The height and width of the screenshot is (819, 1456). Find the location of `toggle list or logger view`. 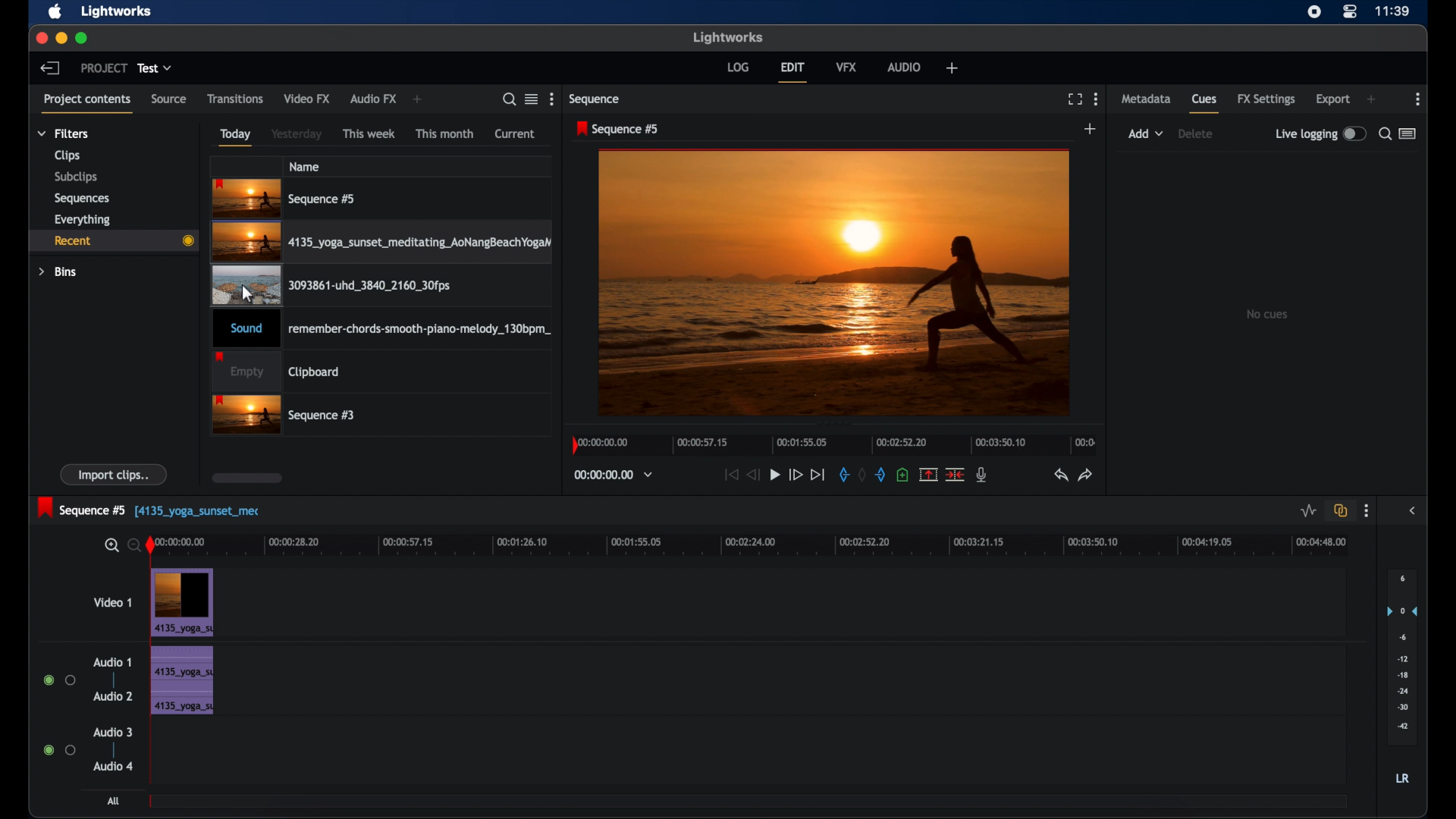

toggle list or logger view is located at coordinates (1410, 133).